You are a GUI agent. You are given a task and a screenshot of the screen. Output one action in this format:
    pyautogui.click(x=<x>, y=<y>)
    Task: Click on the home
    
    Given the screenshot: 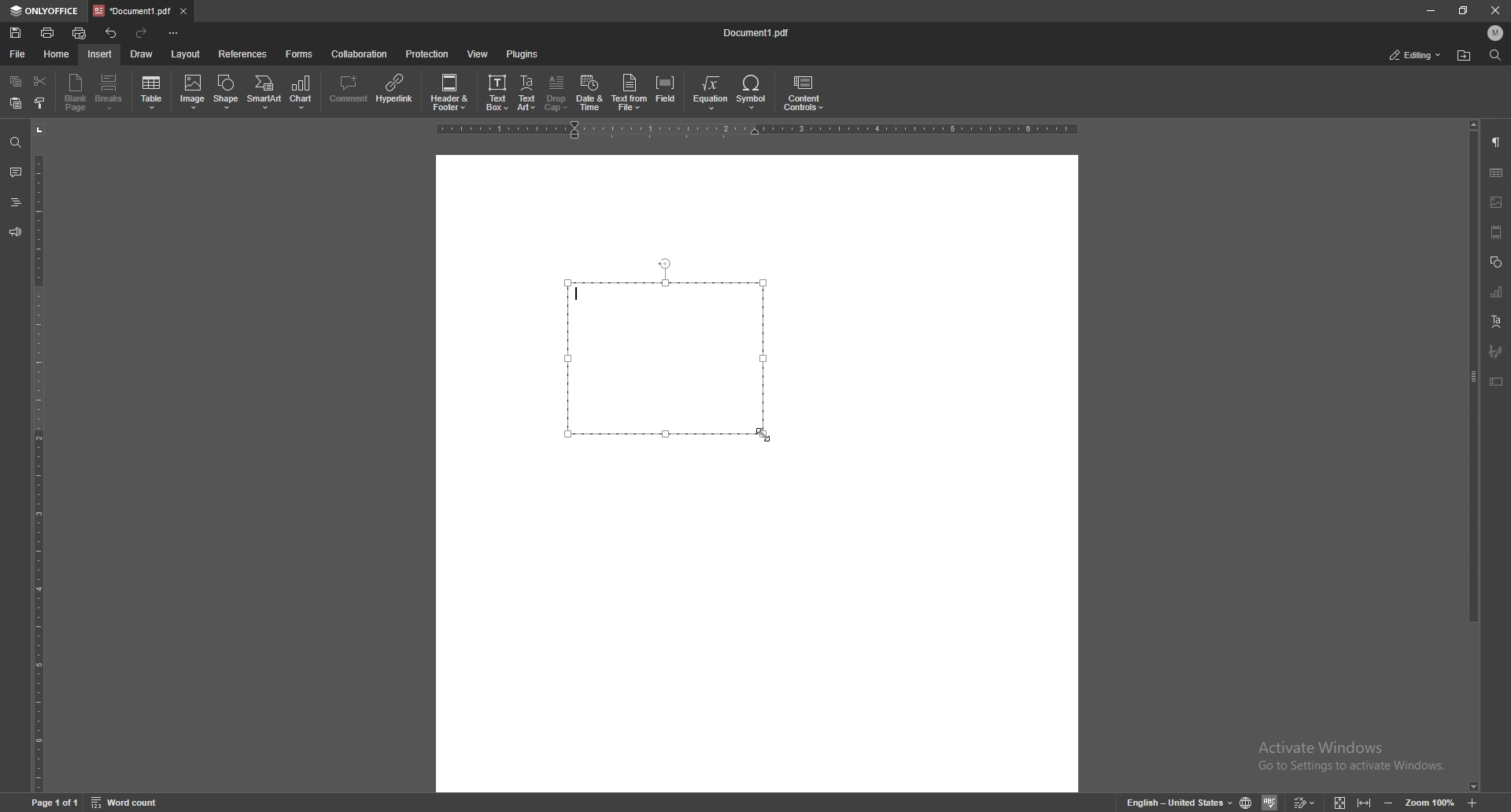 What is the action you would take?
    pyautogui.click(x=57, y=55)
    